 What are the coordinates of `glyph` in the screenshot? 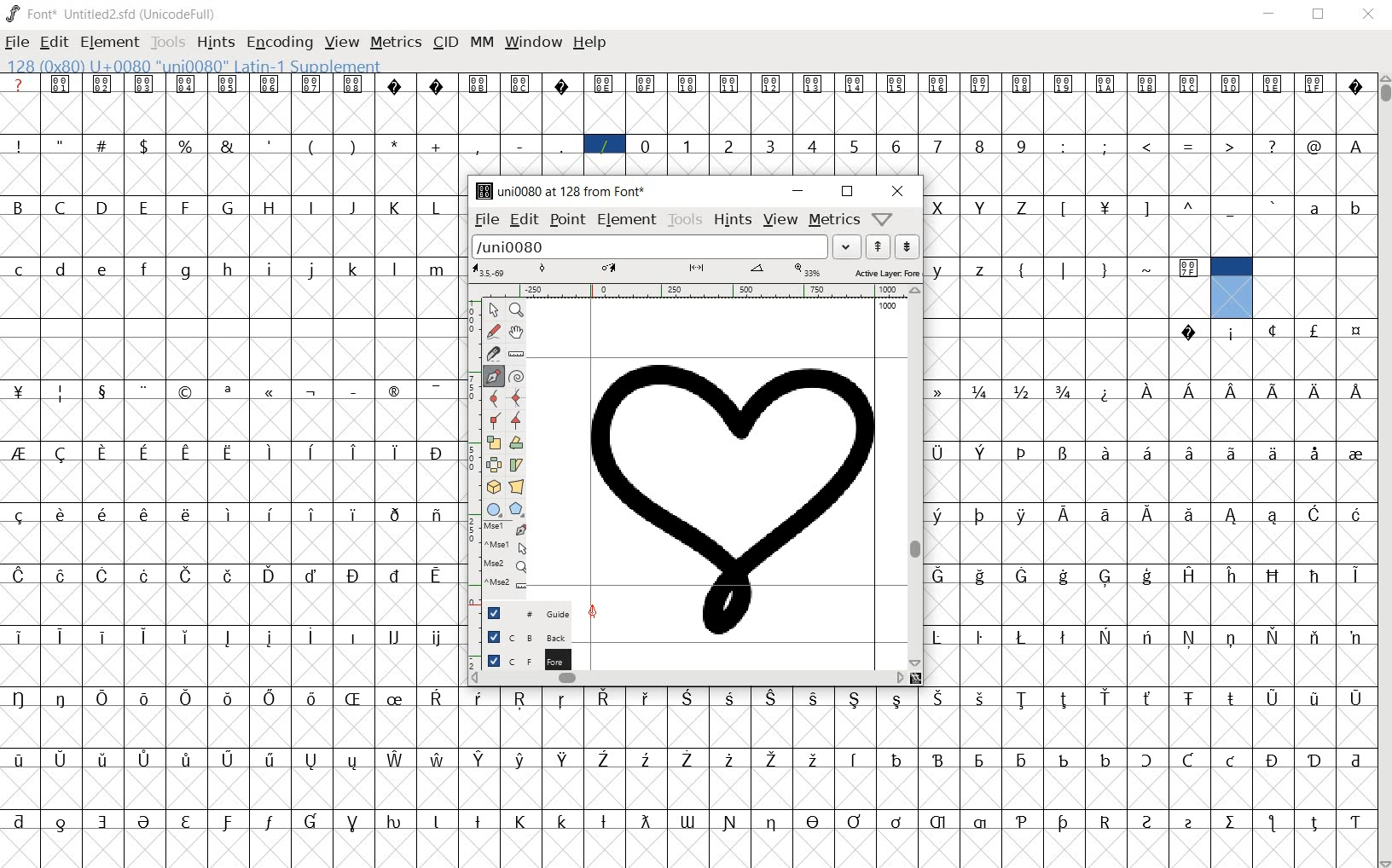 It's located at (228, 759).